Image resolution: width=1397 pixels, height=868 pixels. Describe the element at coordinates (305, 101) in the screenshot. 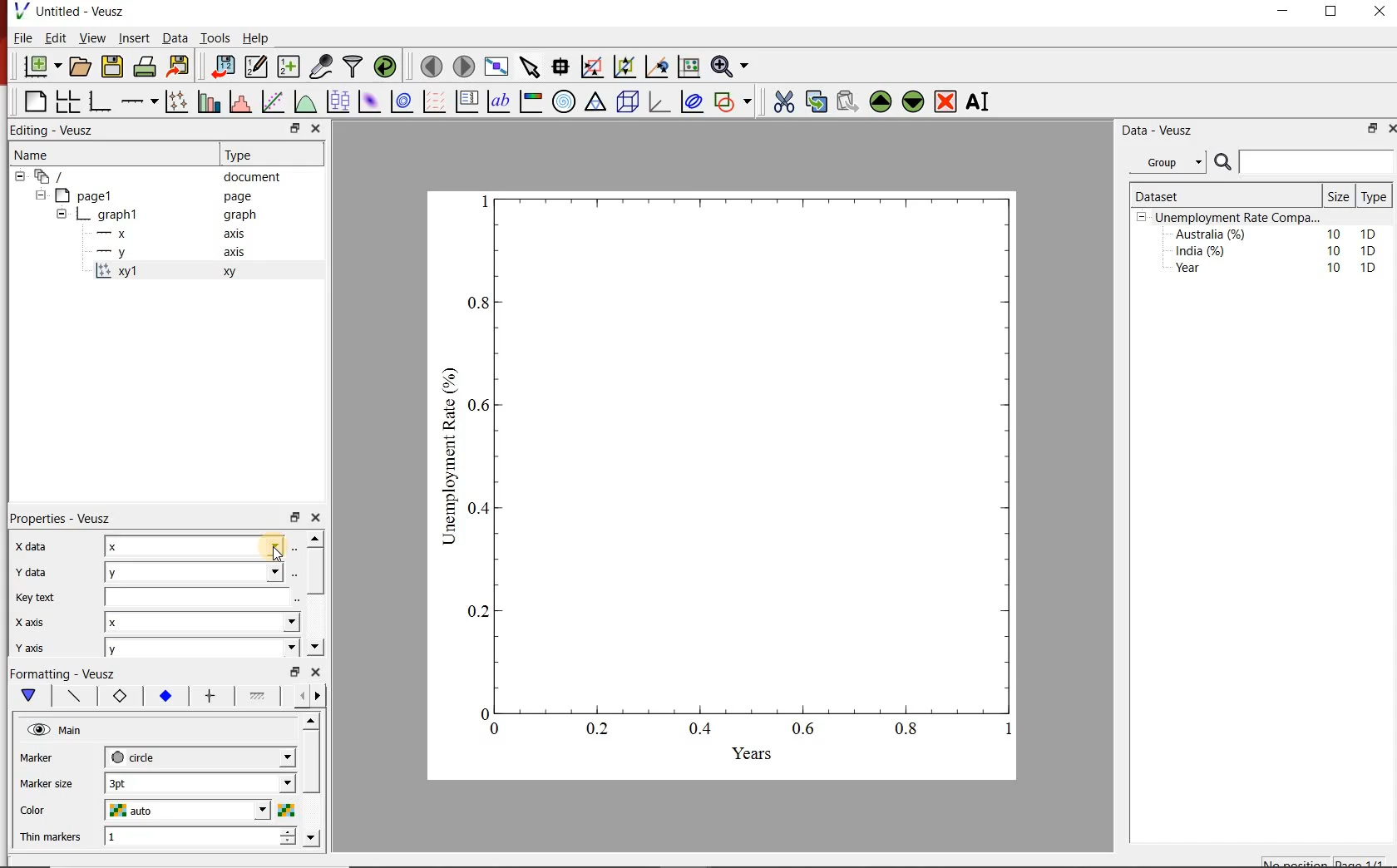

I see `plot a function` at that location.